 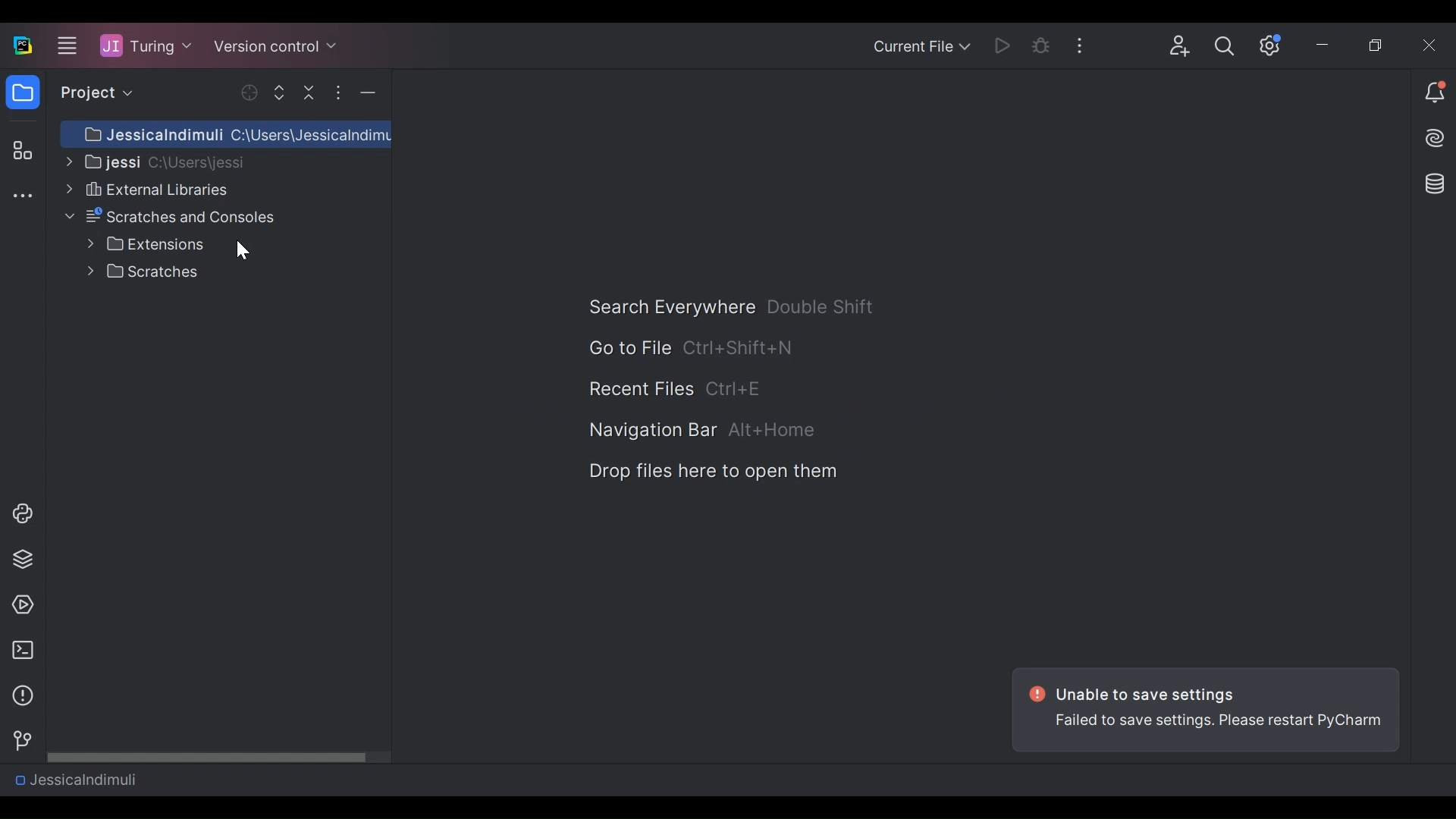 What do you see at coordinates (1326, 47) in the screenshot?
I see `Minimize` at bounding box center [1326, 47].